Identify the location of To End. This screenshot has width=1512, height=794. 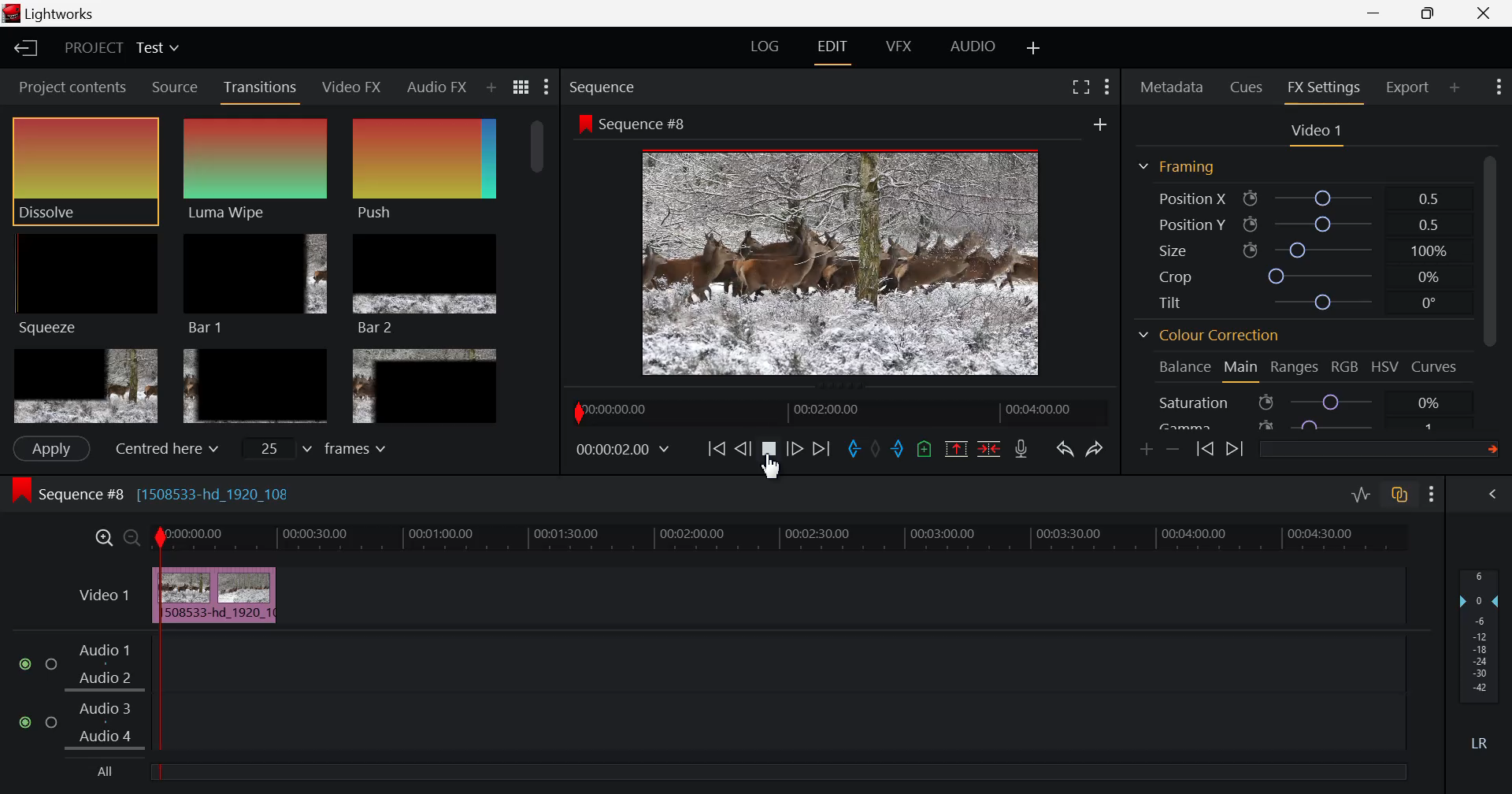
(819, 452).